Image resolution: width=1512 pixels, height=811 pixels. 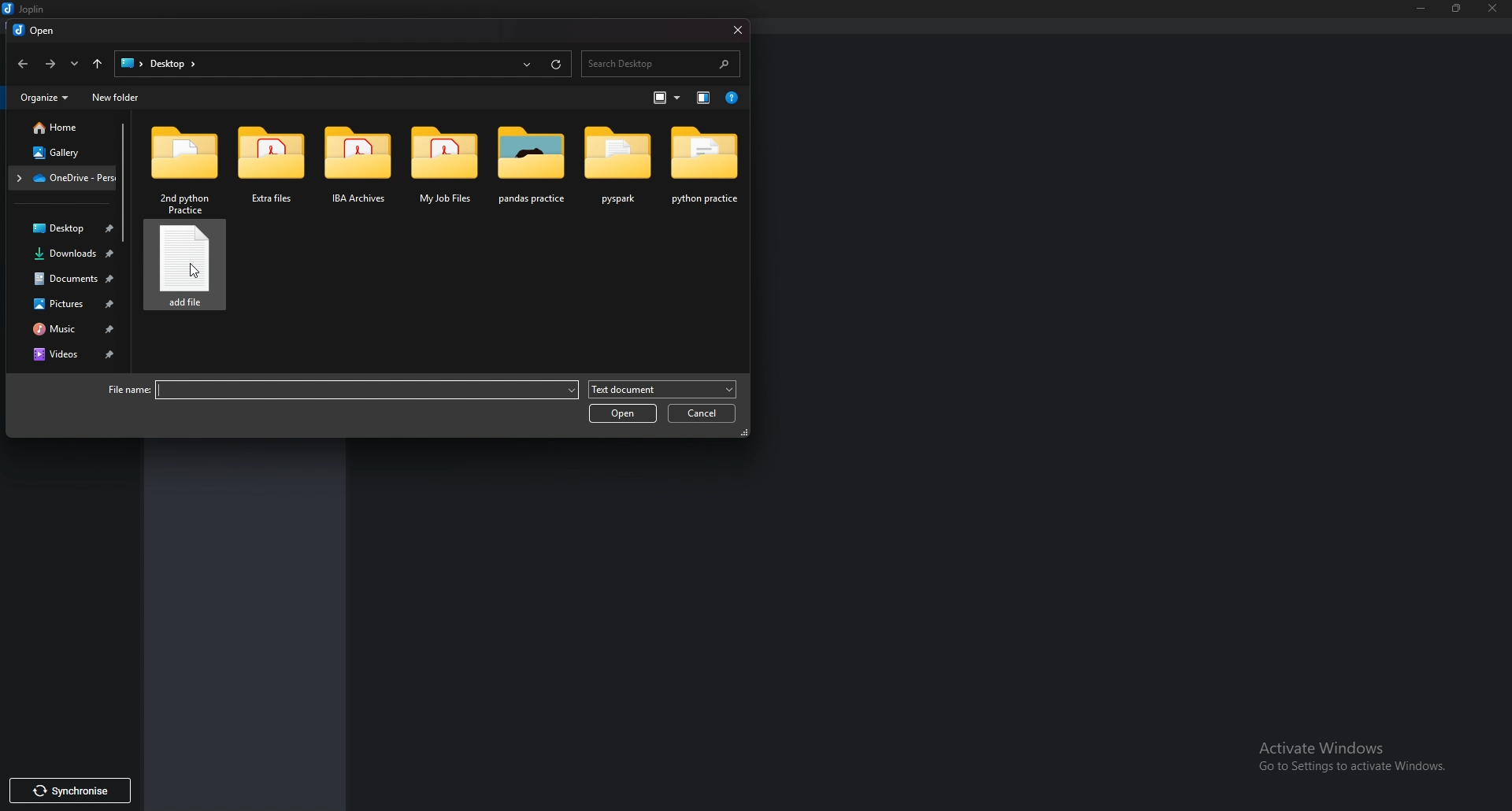 What do you see at coordinates (45, 98) in the screenshot?
I see `Organize` at bounding box center [45, 98].